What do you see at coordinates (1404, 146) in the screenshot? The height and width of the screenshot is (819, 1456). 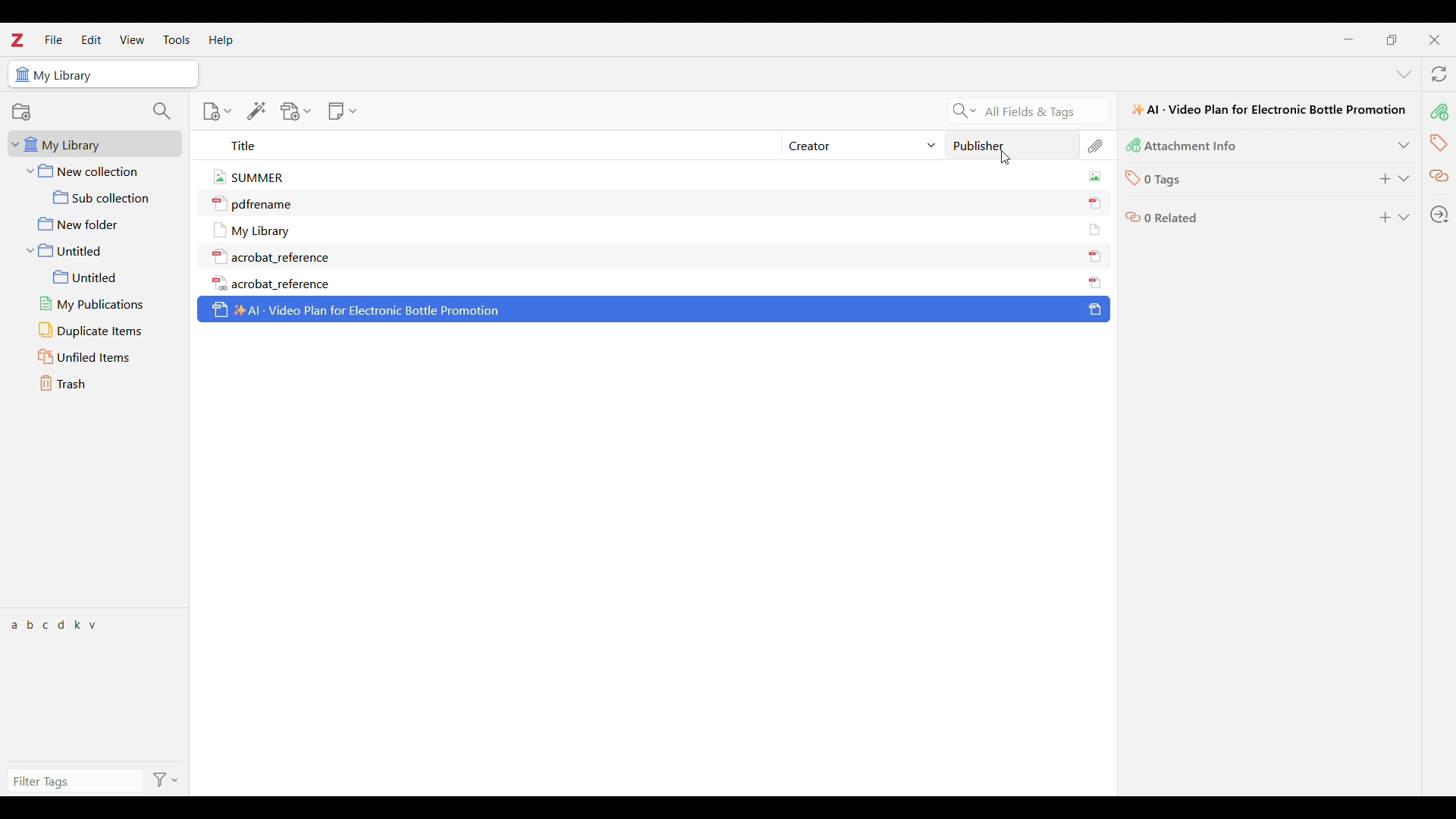 I see `Expand attachment info section` at bounding box center [1404, 146].